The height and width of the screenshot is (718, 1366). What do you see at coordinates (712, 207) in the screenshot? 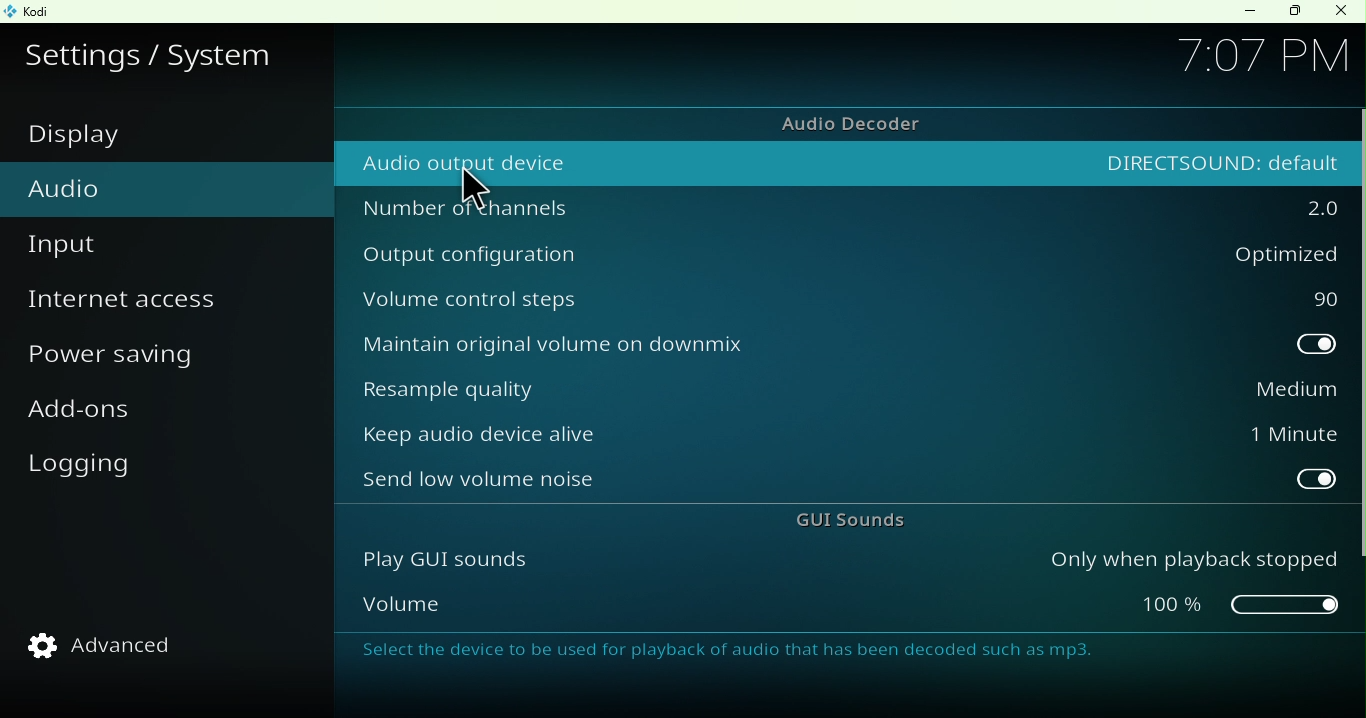
I see `Number of channels` at bounding box center [712, 207].